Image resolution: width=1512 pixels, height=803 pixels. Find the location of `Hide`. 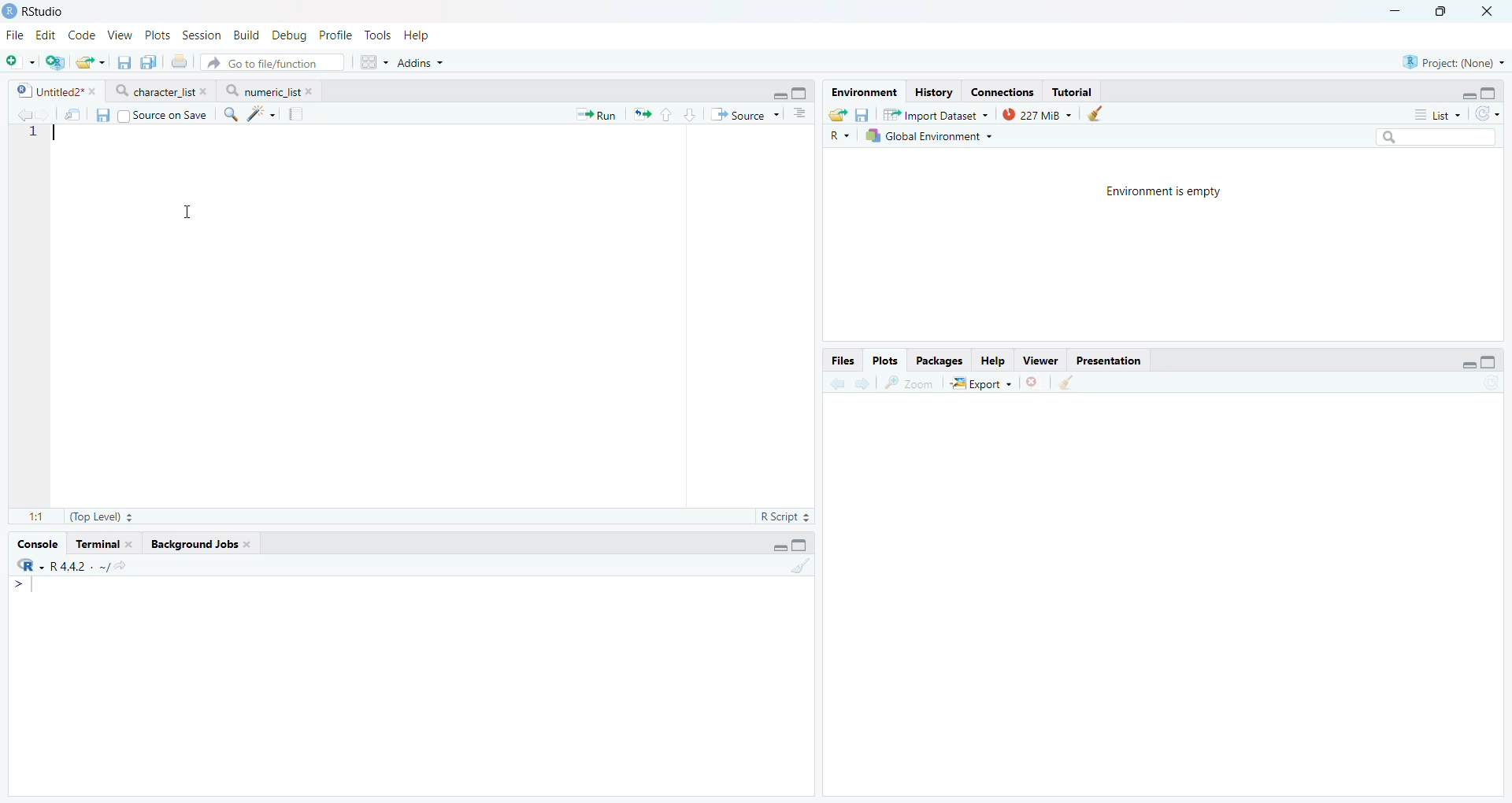

Hide is located at coordinates (1468, 94).